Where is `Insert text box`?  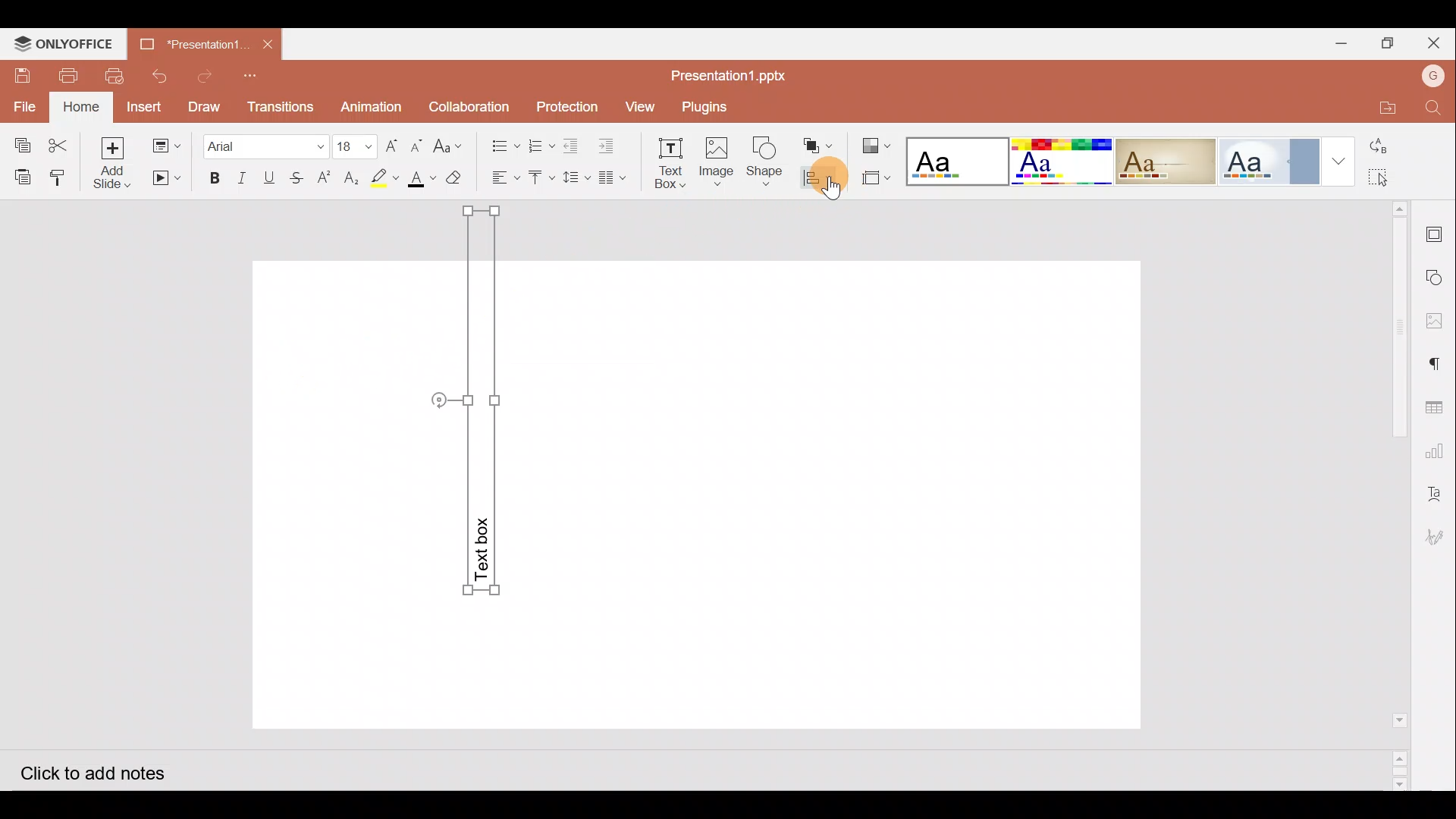
Insert text box is located at coordinates (667, 163).